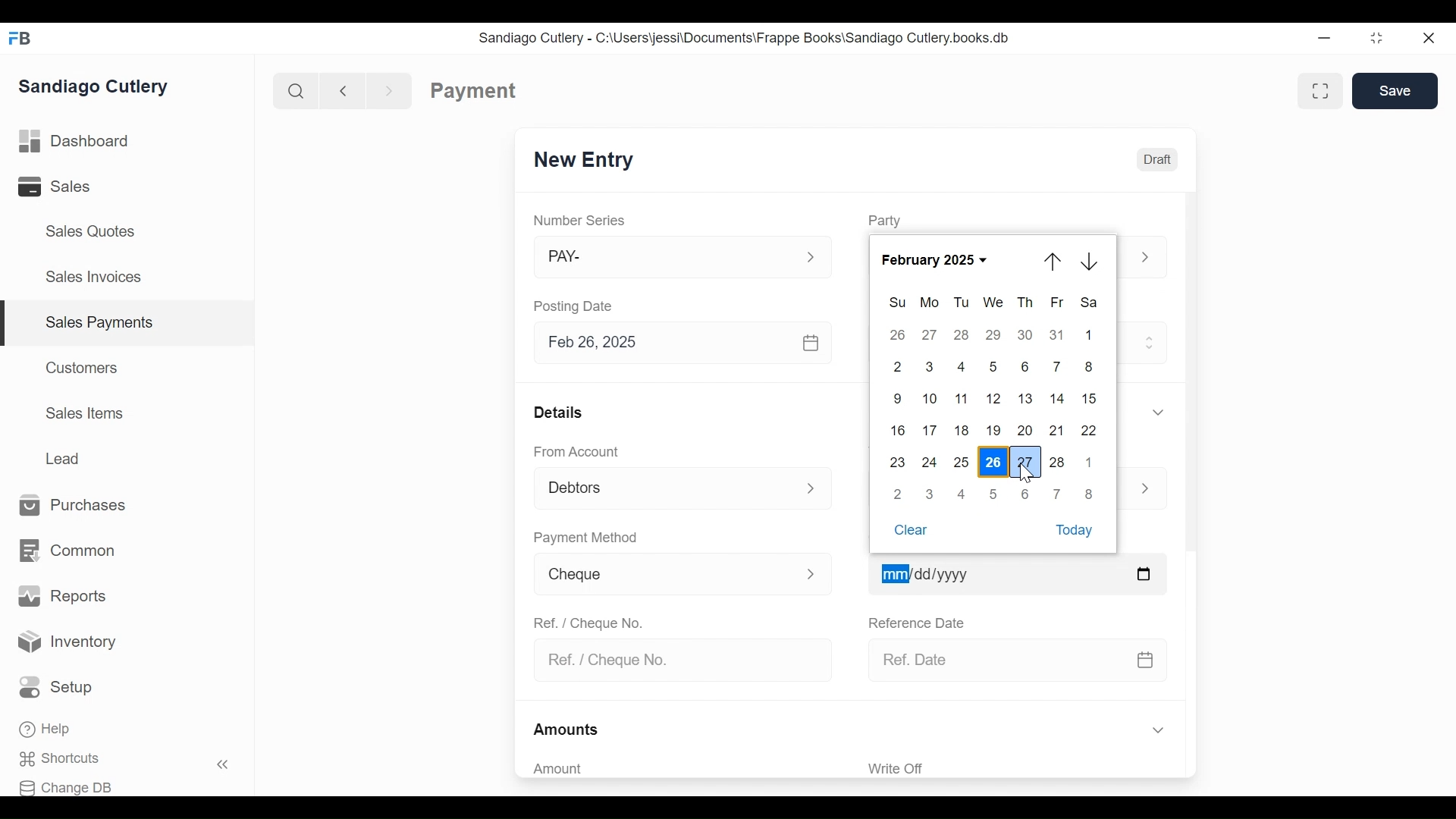  I want to click on Sa, so click(1090, 303).